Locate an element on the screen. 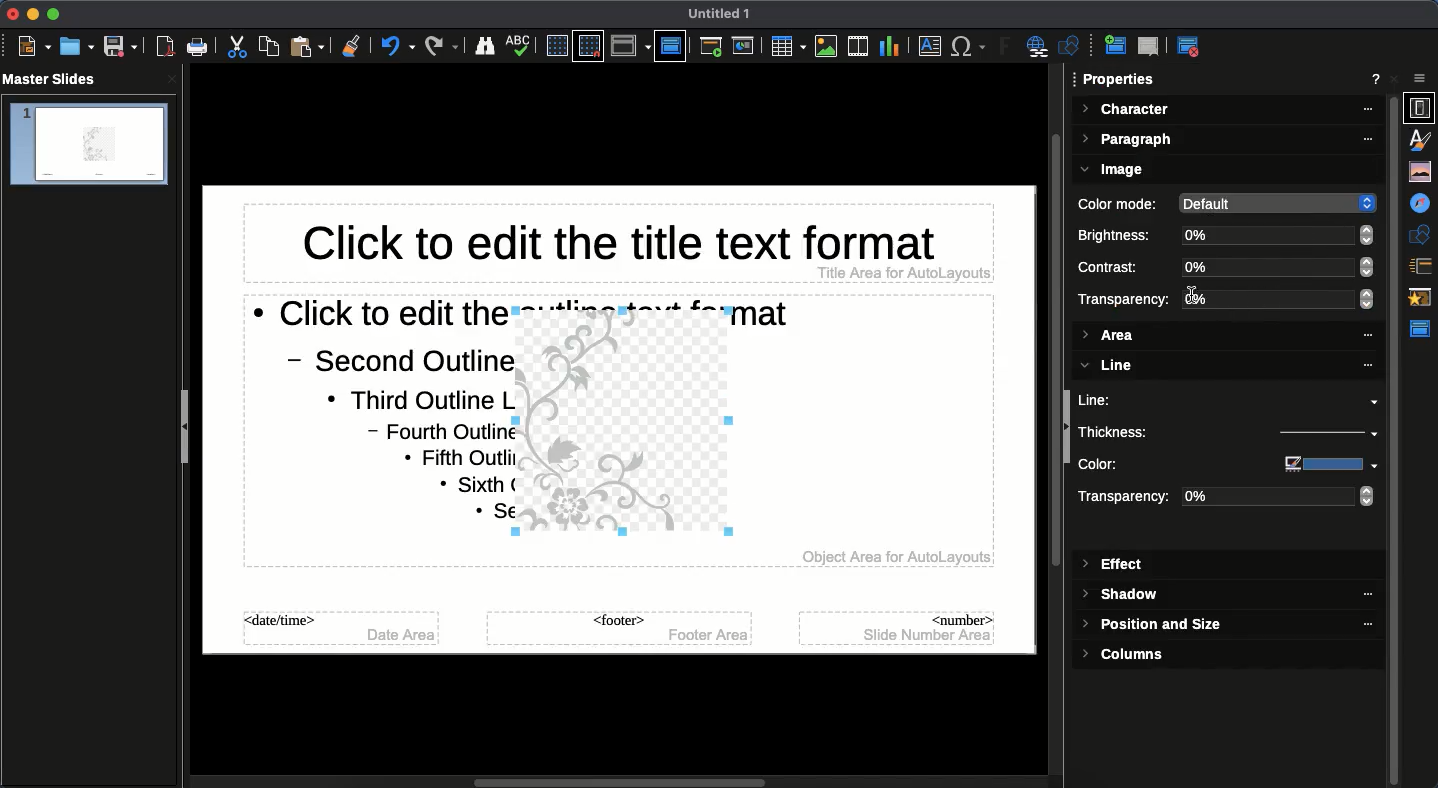 The width and height of the screenshot is (1438, 788). ''' is located at coordinates (1356, 625).